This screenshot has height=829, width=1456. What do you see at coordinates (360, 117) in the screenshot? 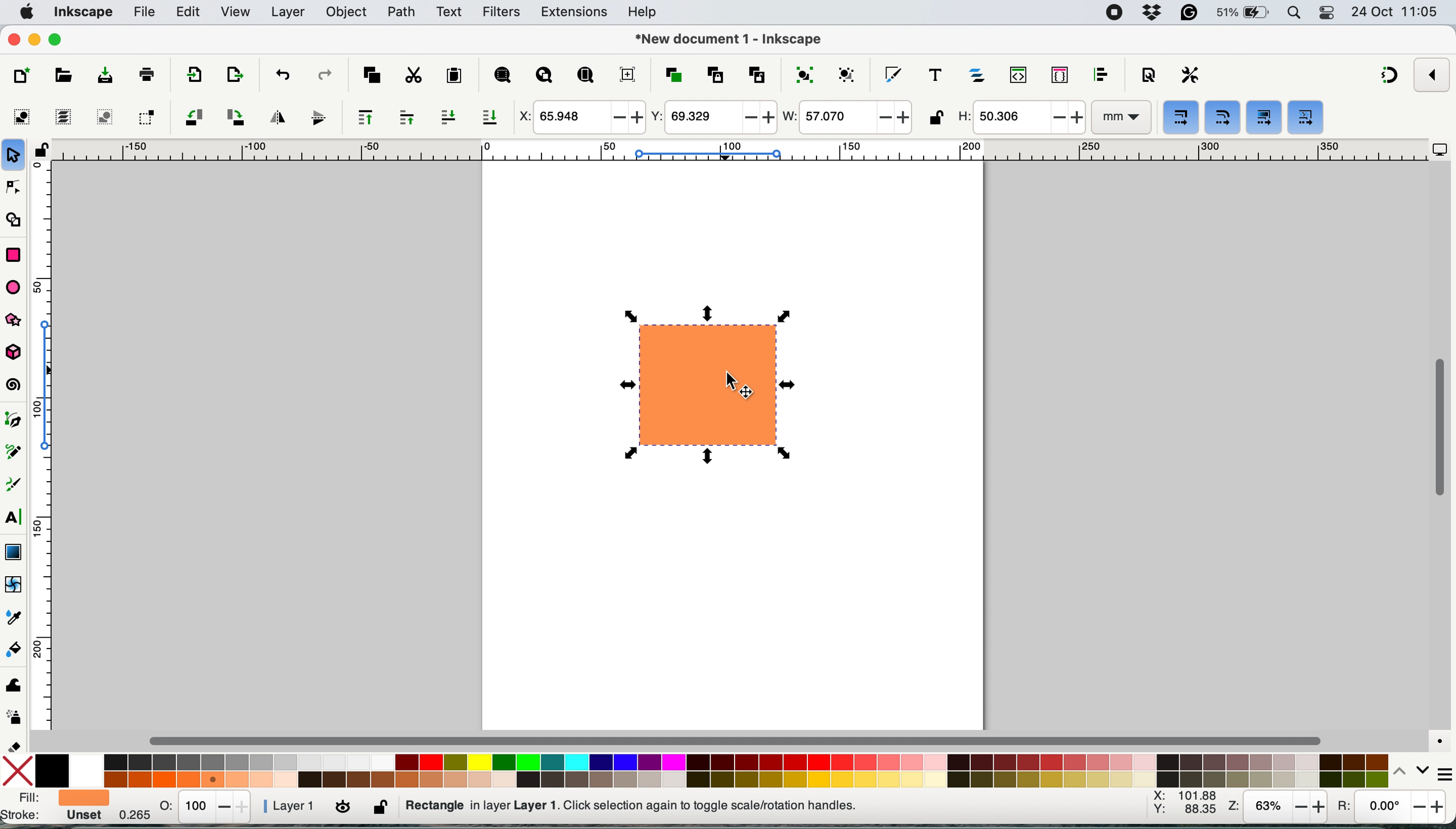
I see `raise selection to top` at bounding box center [360, 117].